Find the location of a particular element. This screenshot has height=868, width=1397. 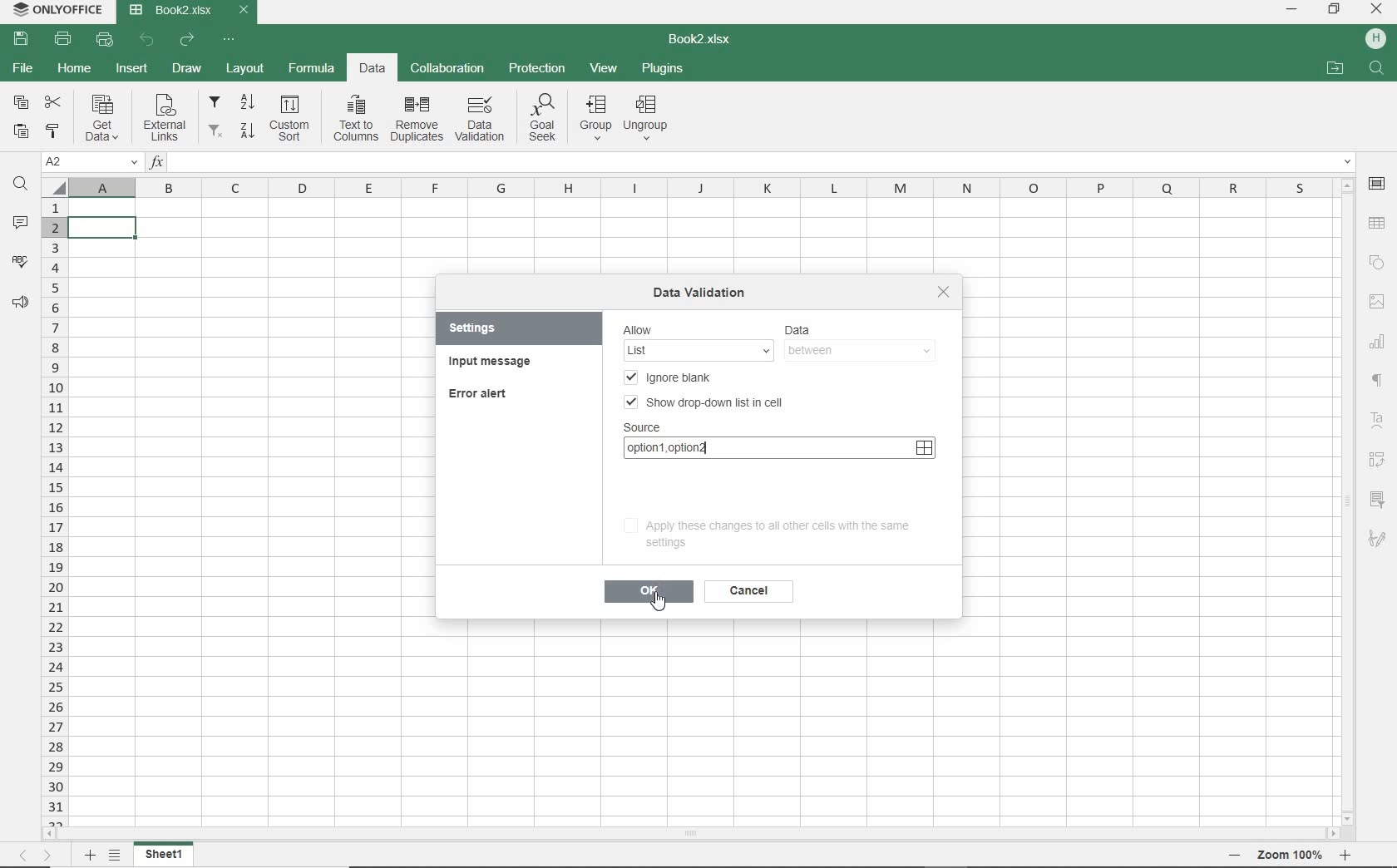

sort descending is located at coordinates (248, 133).